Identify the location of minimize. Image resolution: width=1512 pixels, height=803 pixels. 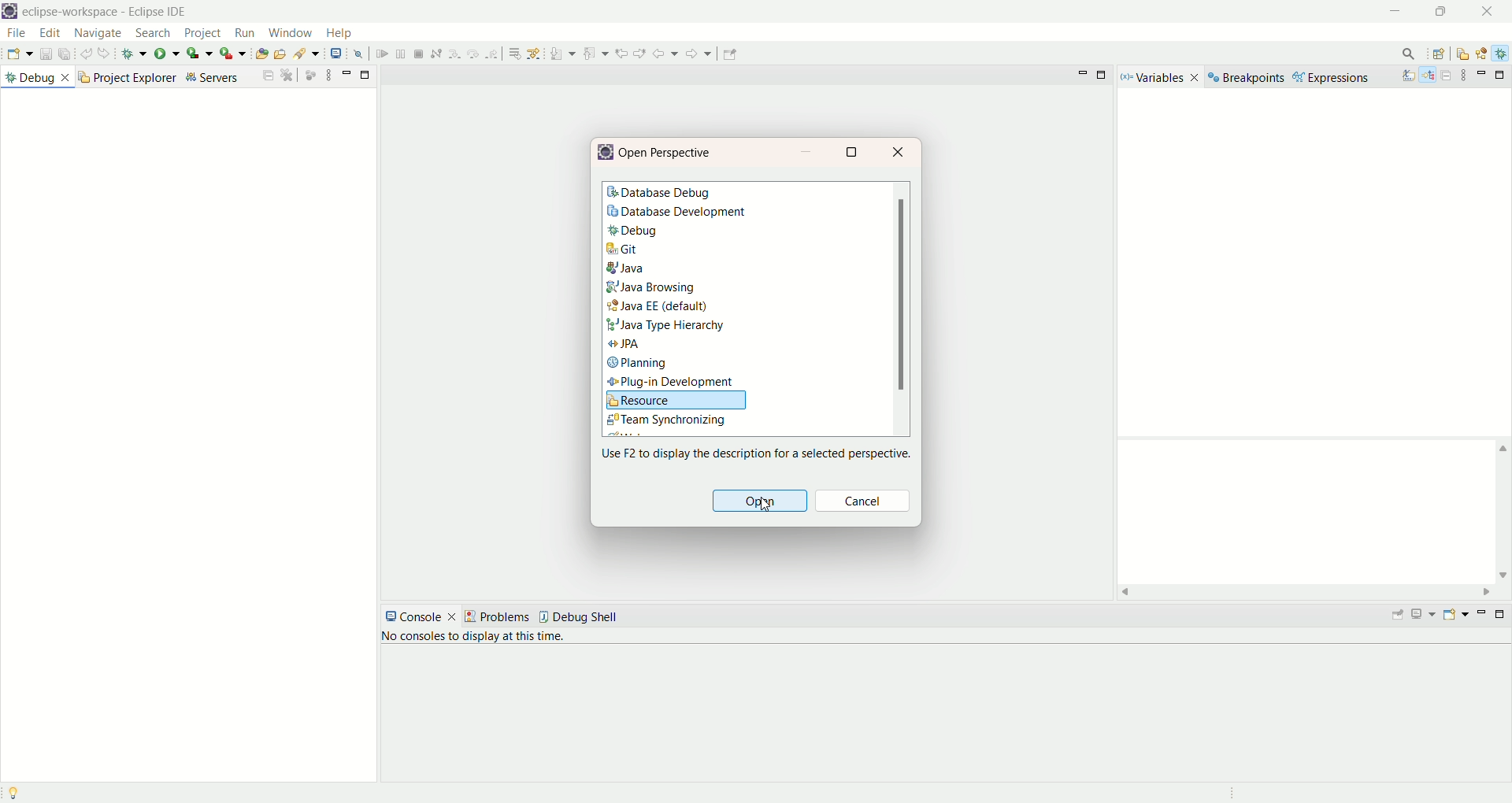
(1482, 74).